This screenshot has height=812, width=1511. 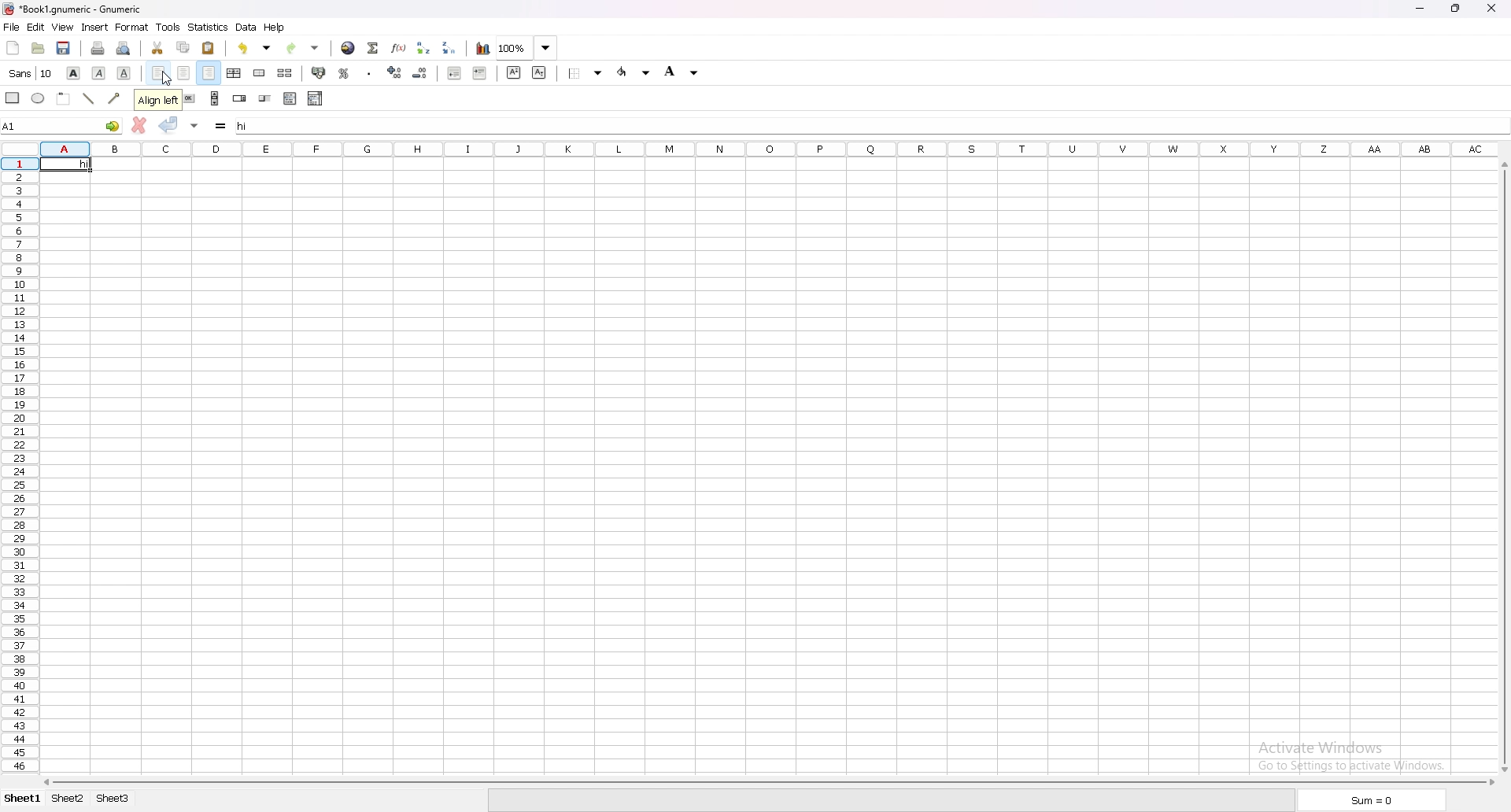 What do you see at coordinates (210, 74) in the screenshot?
I see `align right` at bounding box center [210, 74].